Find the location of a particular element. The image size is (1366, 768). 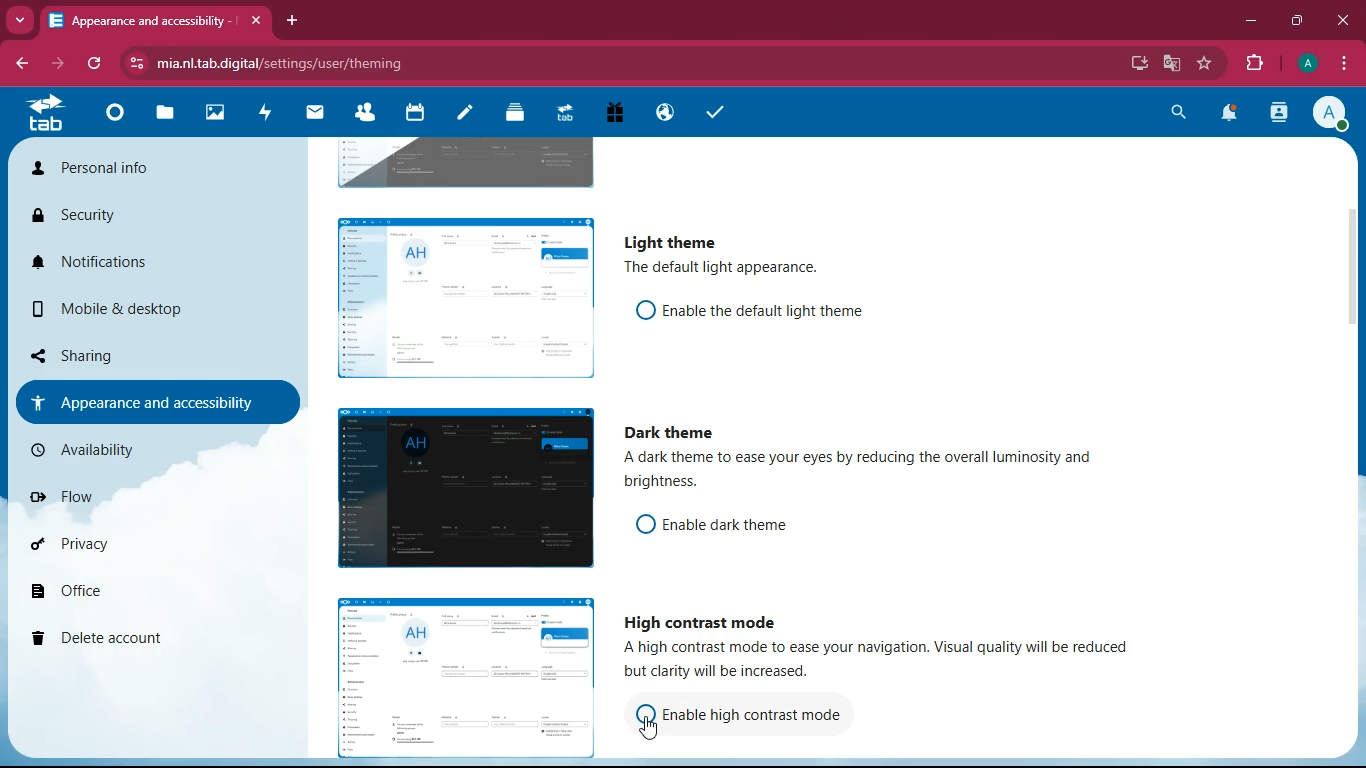

tab is located at coordinates (41, 118).